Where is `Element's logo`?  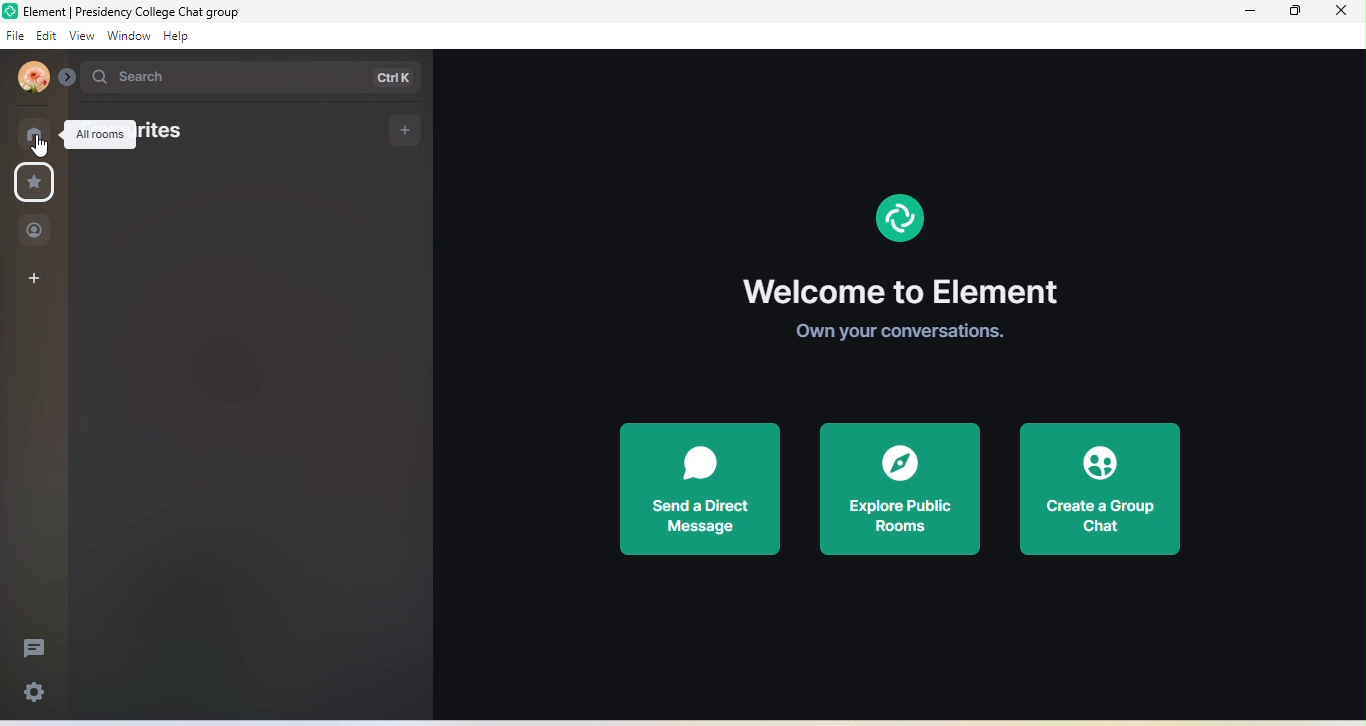
Element's logo is located at coordinates (900, 218).